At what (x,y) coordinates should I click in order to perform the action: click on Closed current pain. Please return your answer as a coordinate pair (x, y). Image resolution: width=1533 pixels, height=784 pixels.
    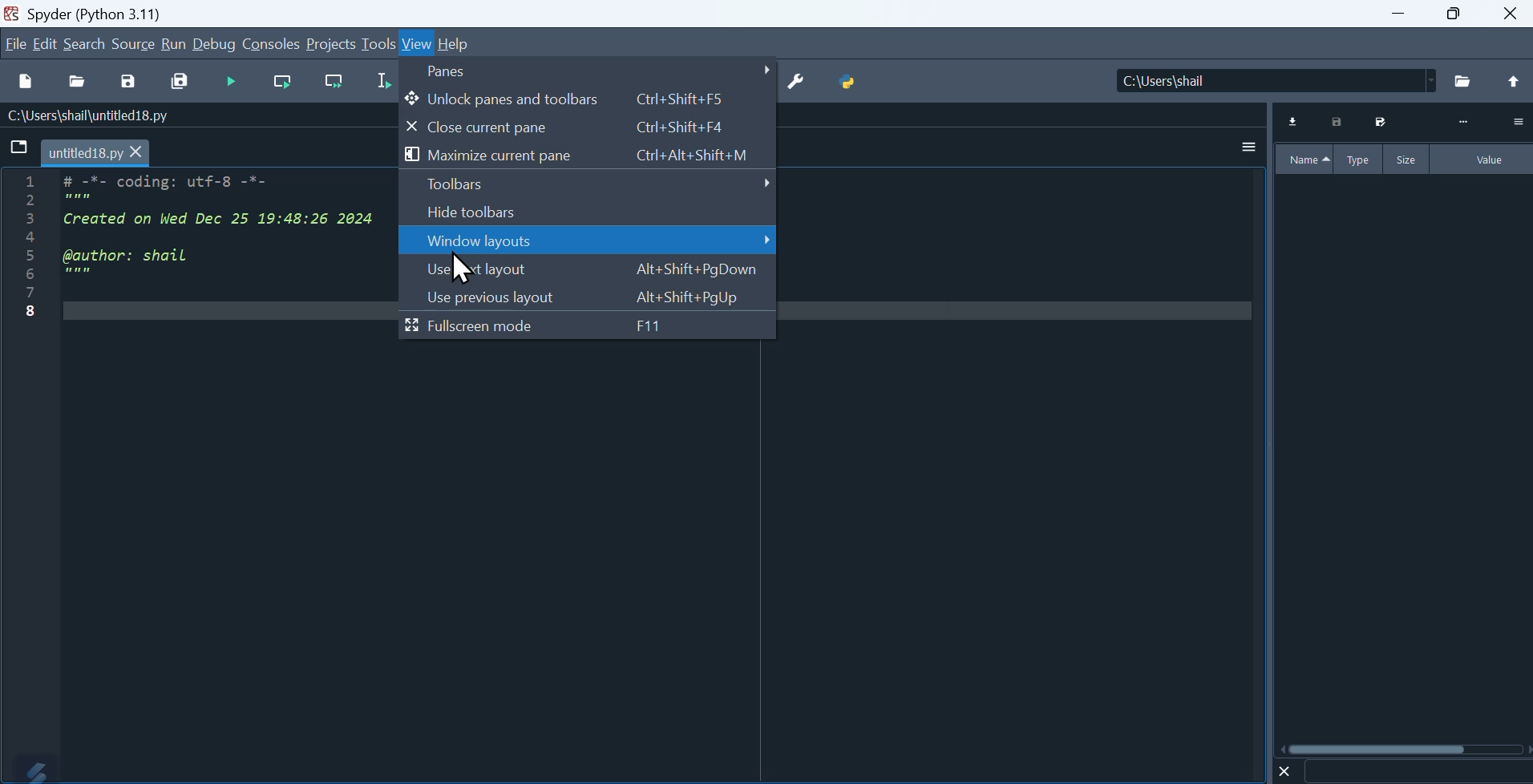
    Looking at the image, I should click on (589, 127).